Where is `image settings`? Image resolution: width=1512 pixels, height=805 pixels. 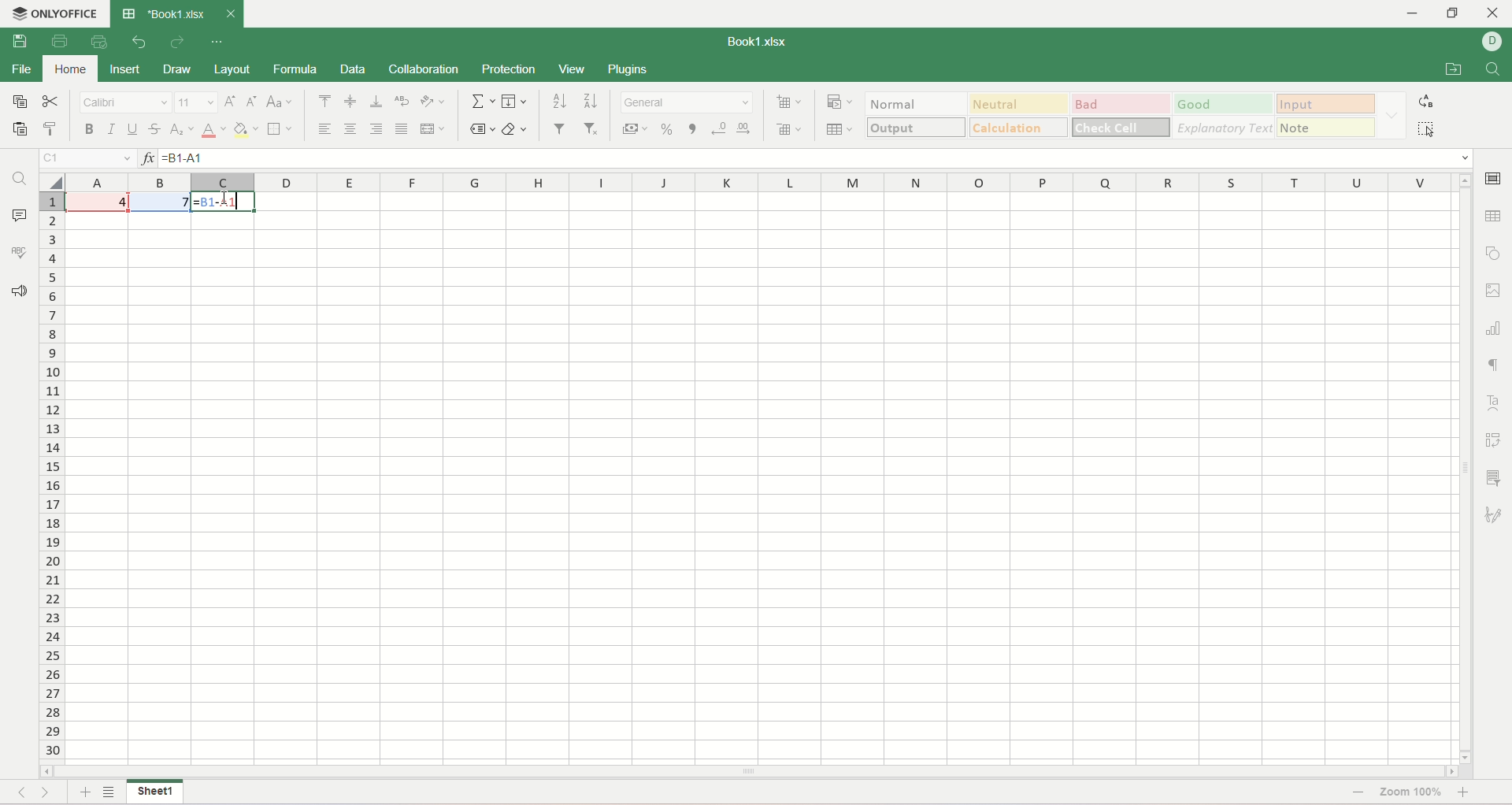
image settings is located at coordinates (1494, 291).